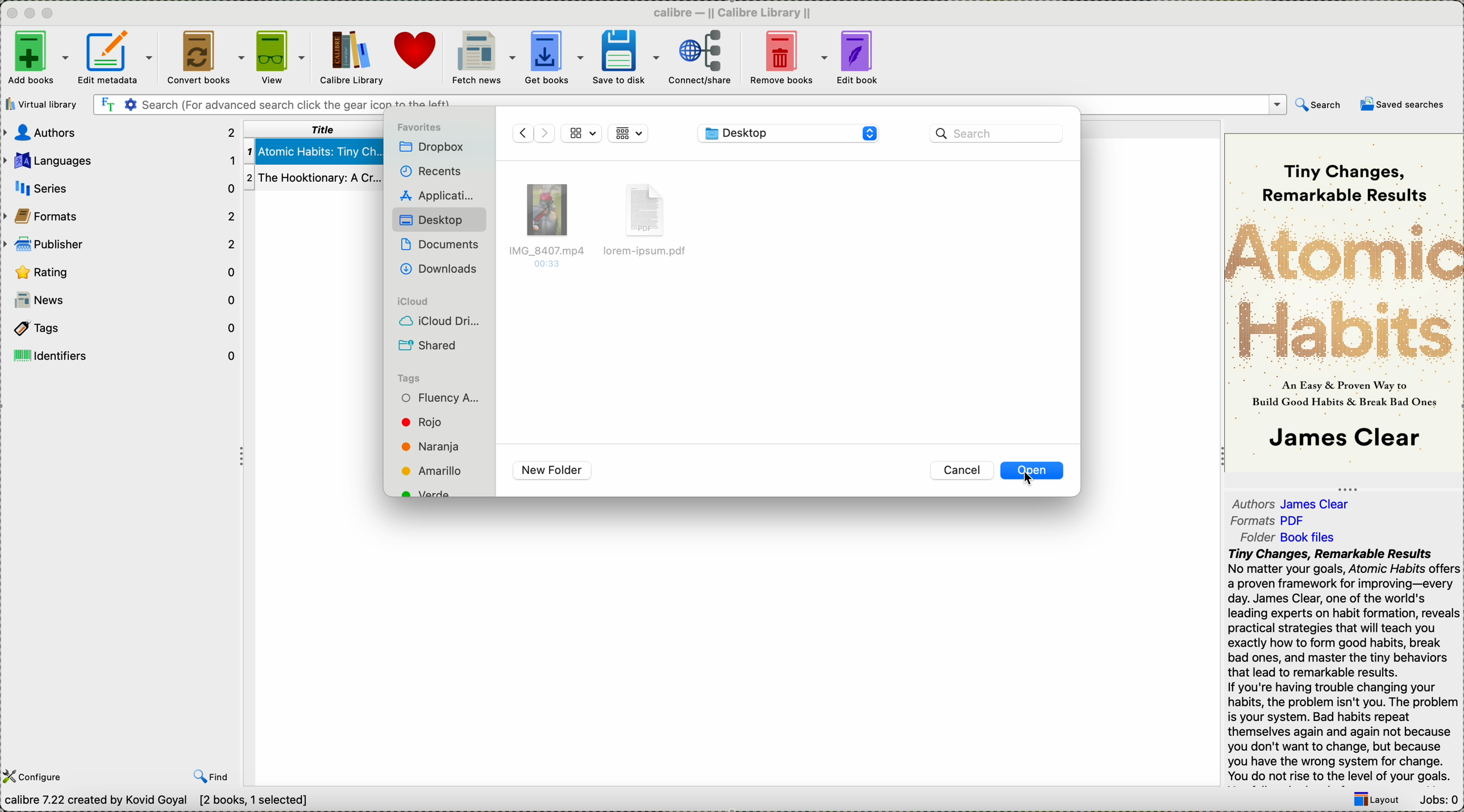 The image size is (1464, 812). I want to click on save to disk, so click(623, 57).